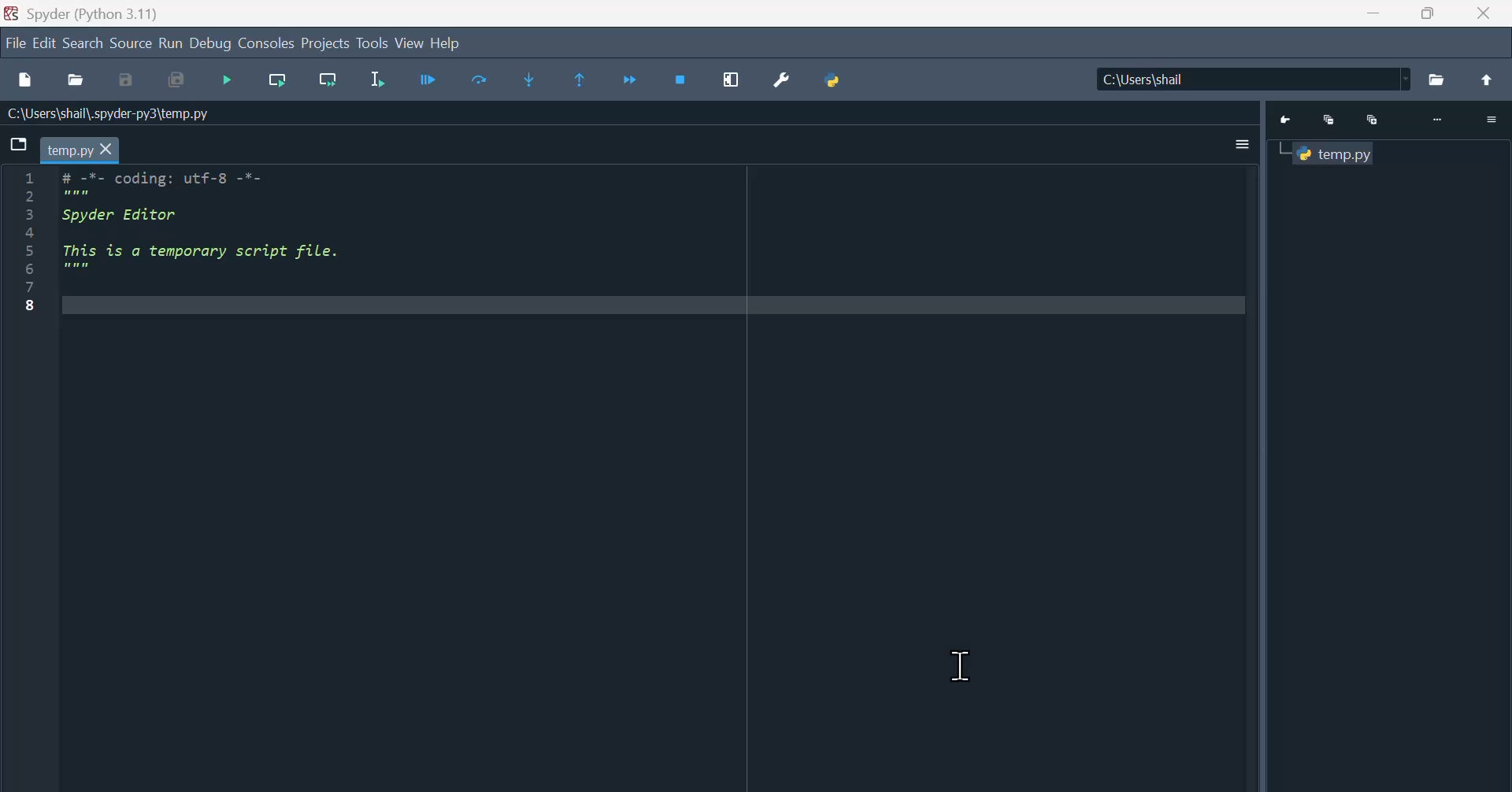 The width and height of the screenshot is (1512, 792). What do you see at coordinates (326, 41) in the screenshot?
I see `Projects` at bounding box center [326, 41].